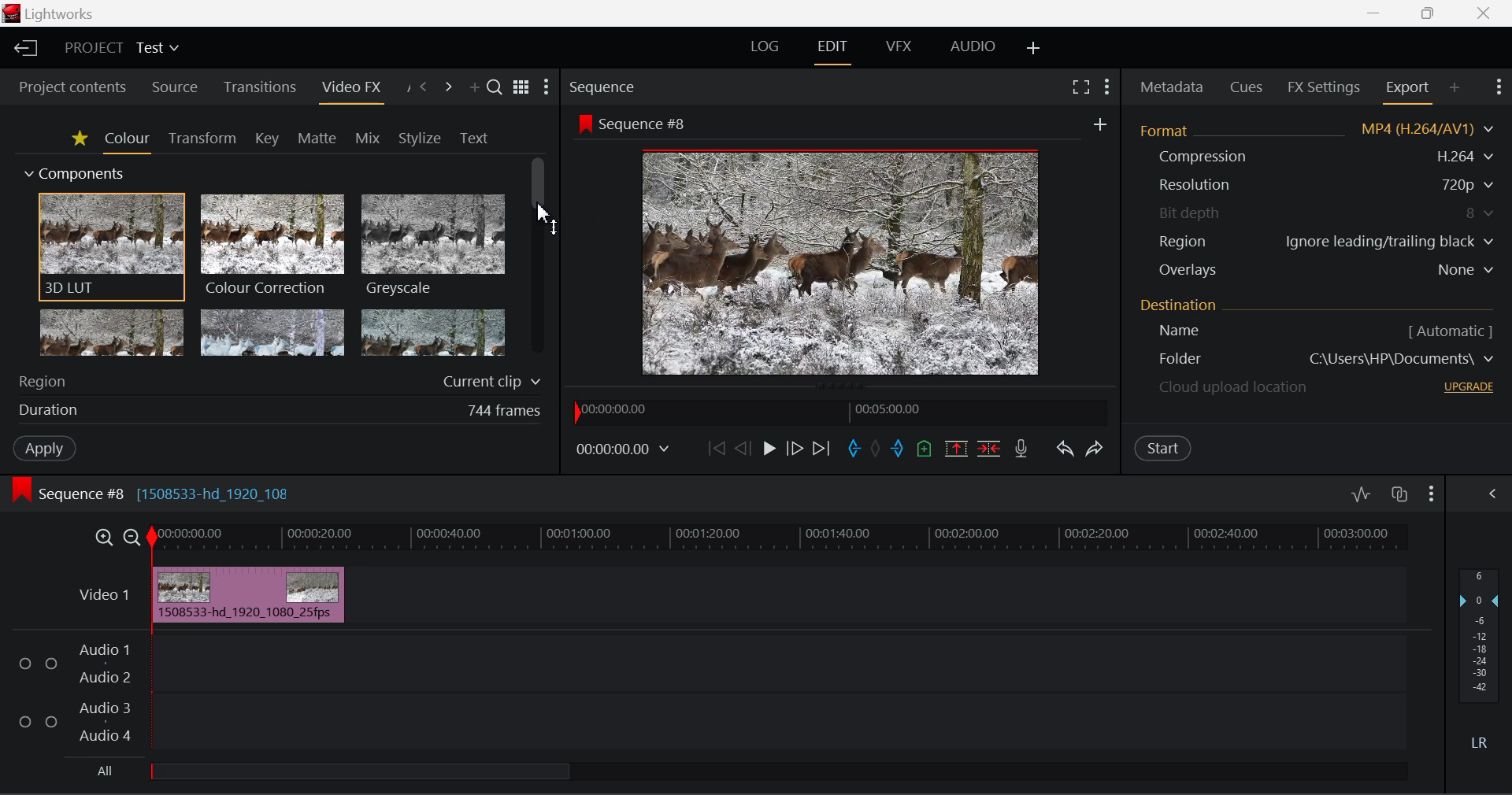 Image resolution: width=1512 pixels, height=795 pixels. I want to click on Checkbox, so click(25, 720).